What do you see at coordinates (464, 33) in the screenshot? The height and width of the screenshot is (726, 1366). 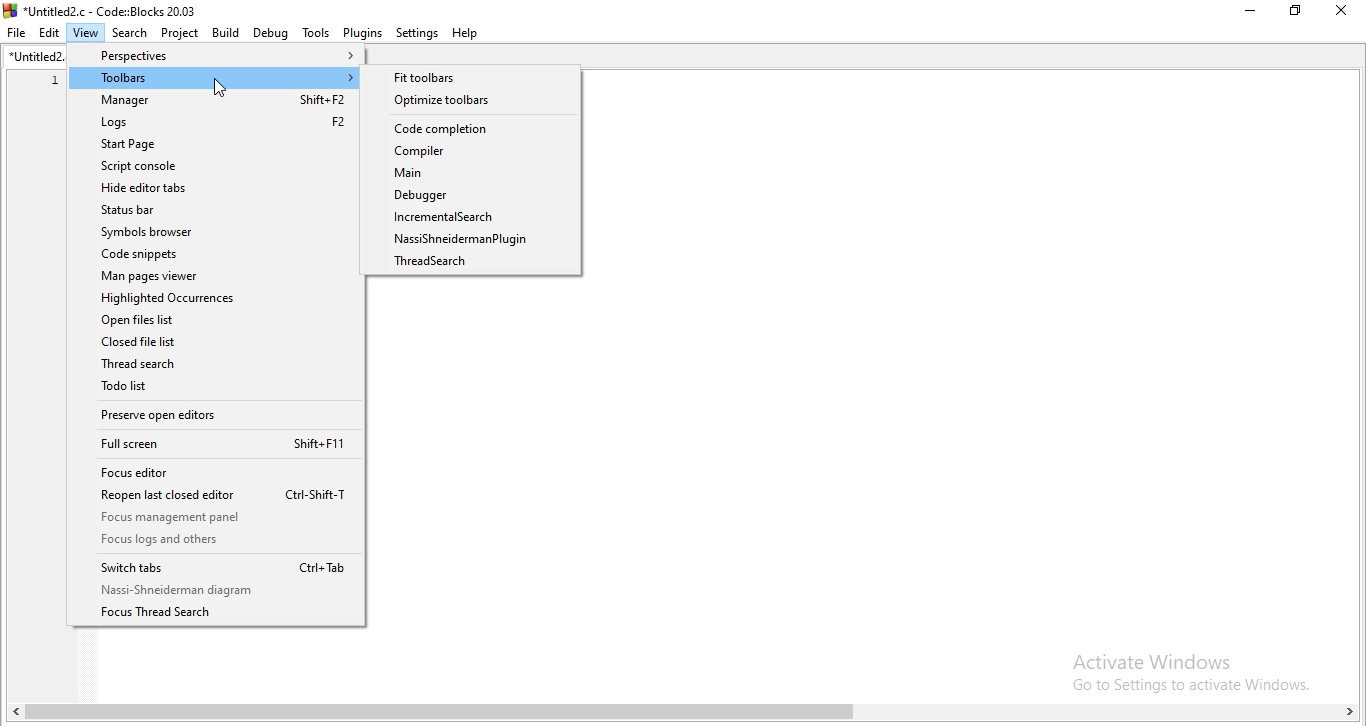 I see `help` at bounding box center [464, 33].